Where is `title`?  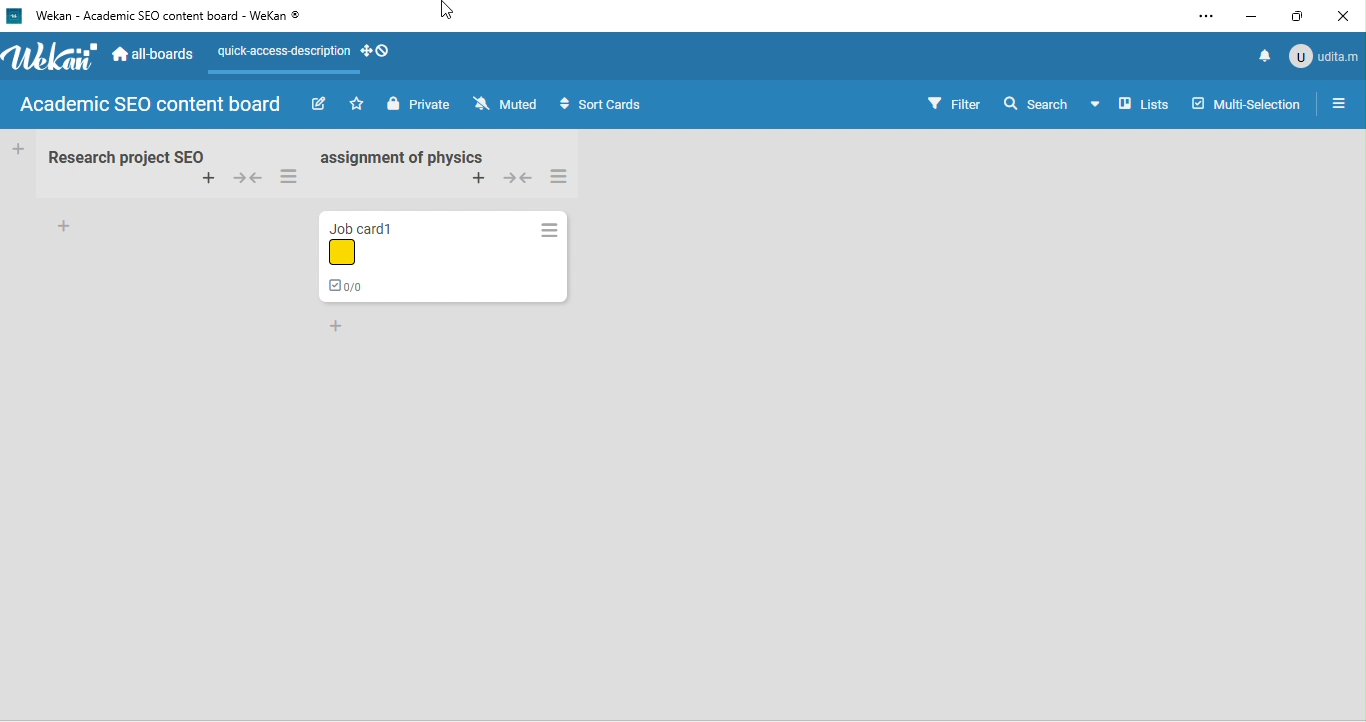 title is located at coordinates (167, 20).